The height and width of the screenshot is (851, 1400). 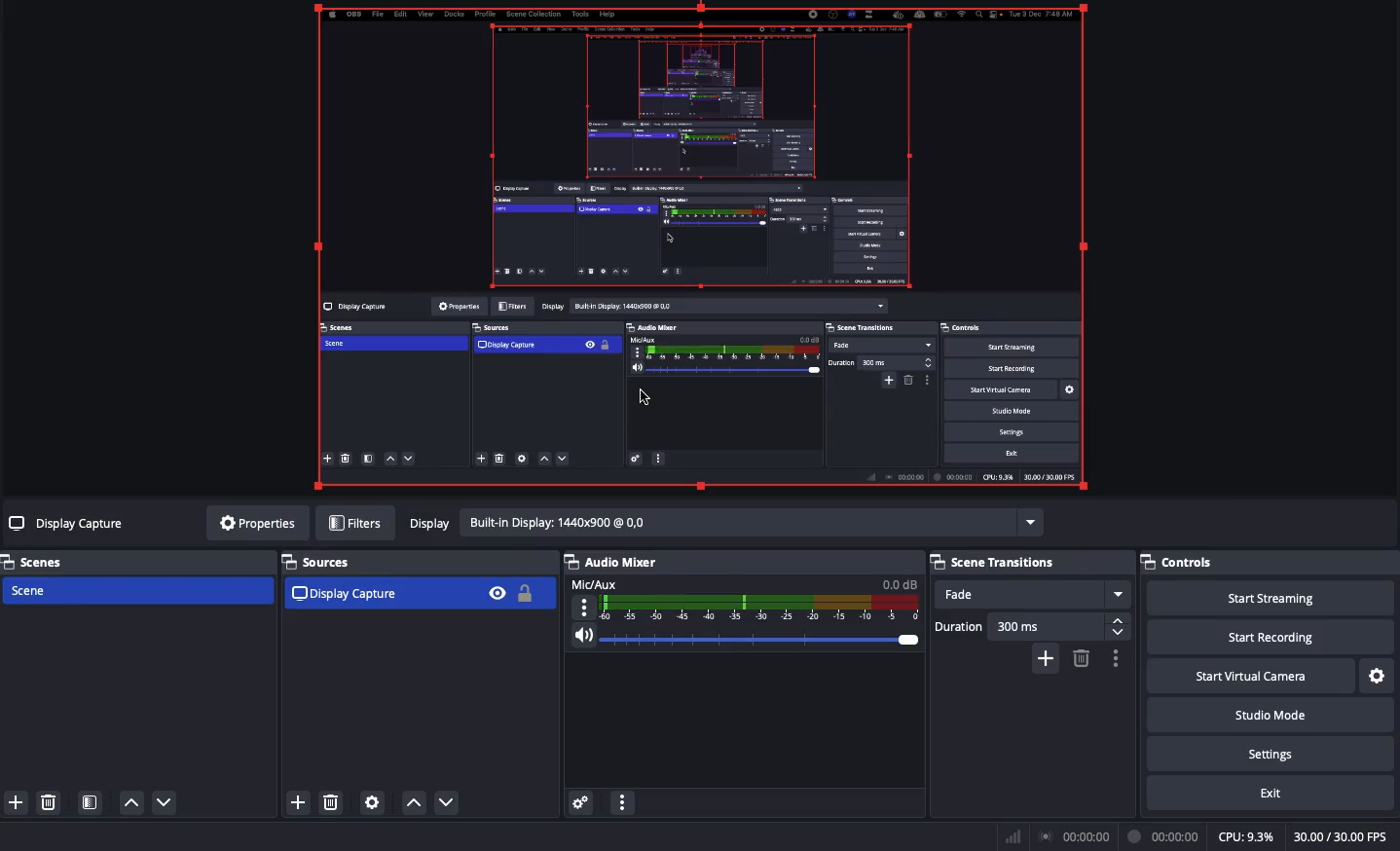 I want to click on Audio mixer menu, so click(x=623, y=800).